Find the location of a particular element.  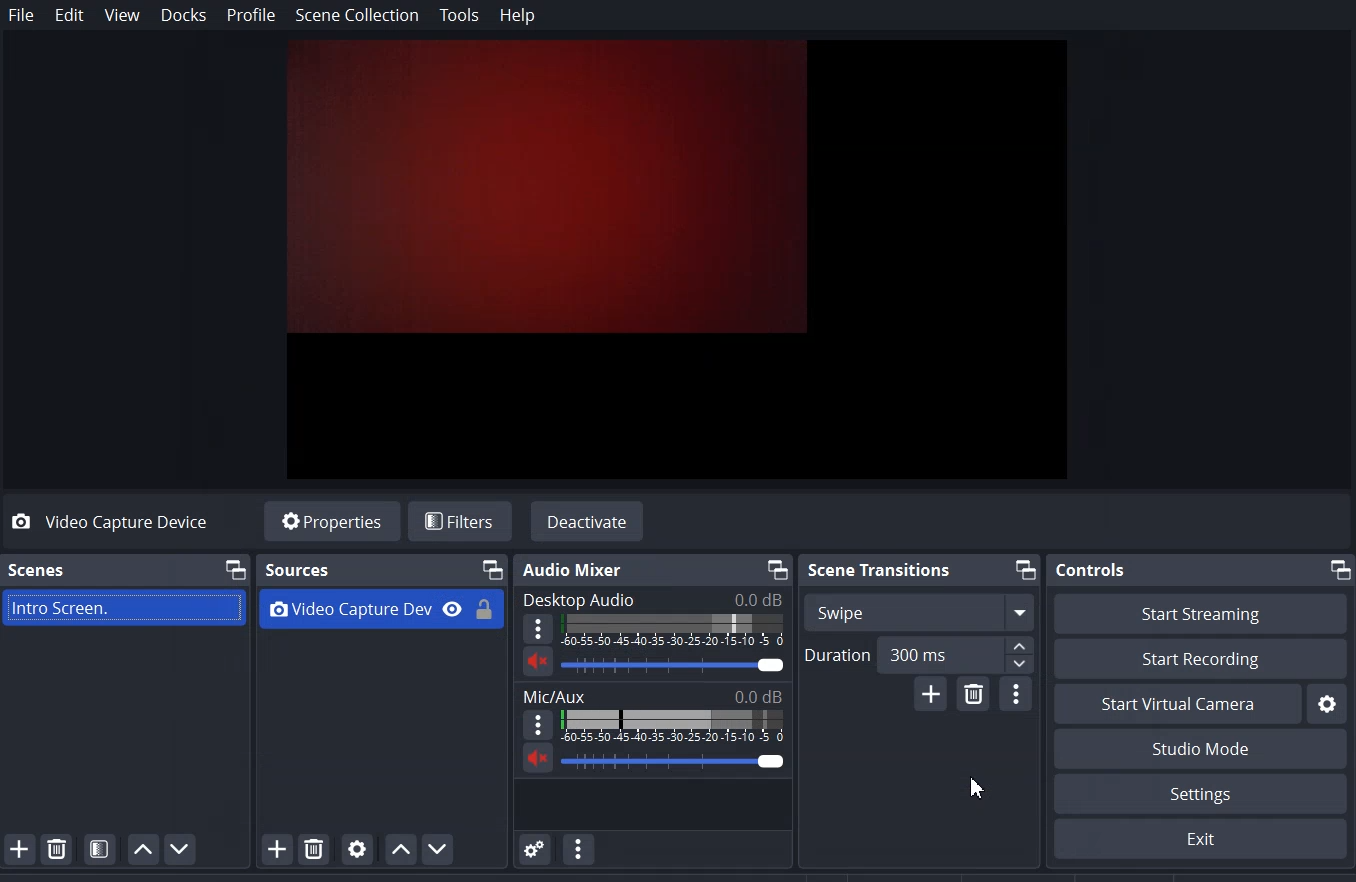

Maximize is located at coordinates (491, 568).